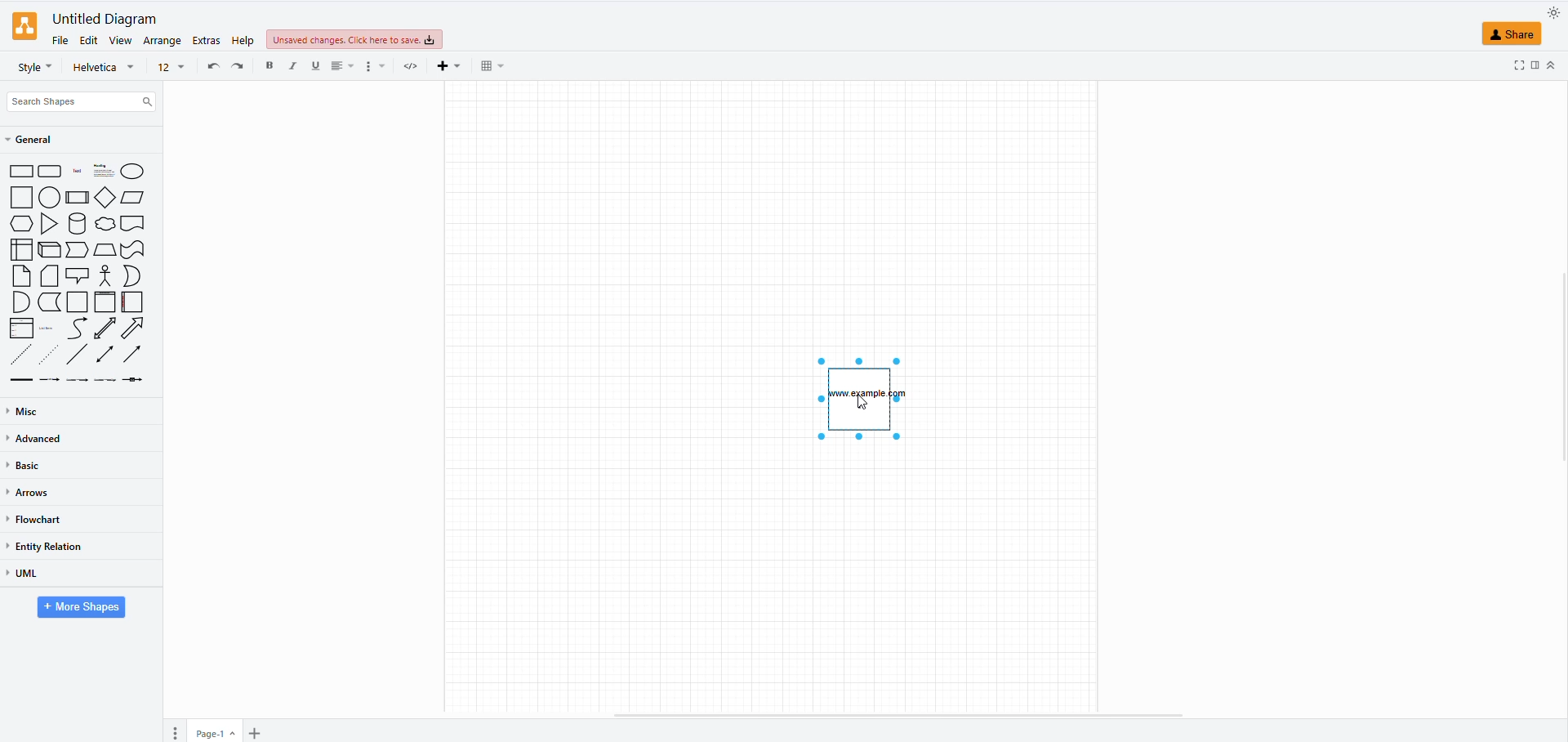 The width and height of the screenshot is (1568, 742). I want to click on logo, so click(24, 26).